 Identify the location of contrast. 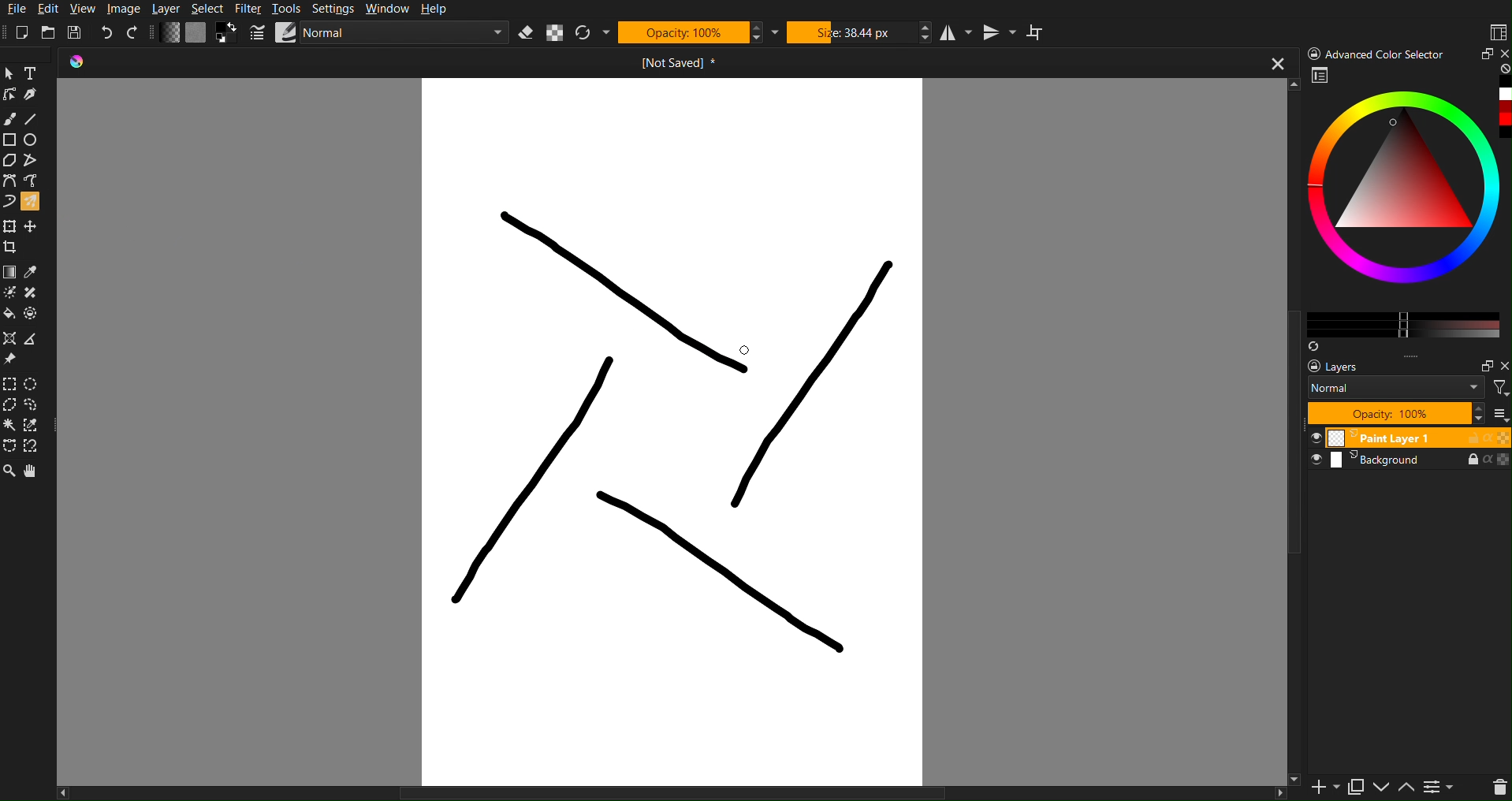
(1441, 790).